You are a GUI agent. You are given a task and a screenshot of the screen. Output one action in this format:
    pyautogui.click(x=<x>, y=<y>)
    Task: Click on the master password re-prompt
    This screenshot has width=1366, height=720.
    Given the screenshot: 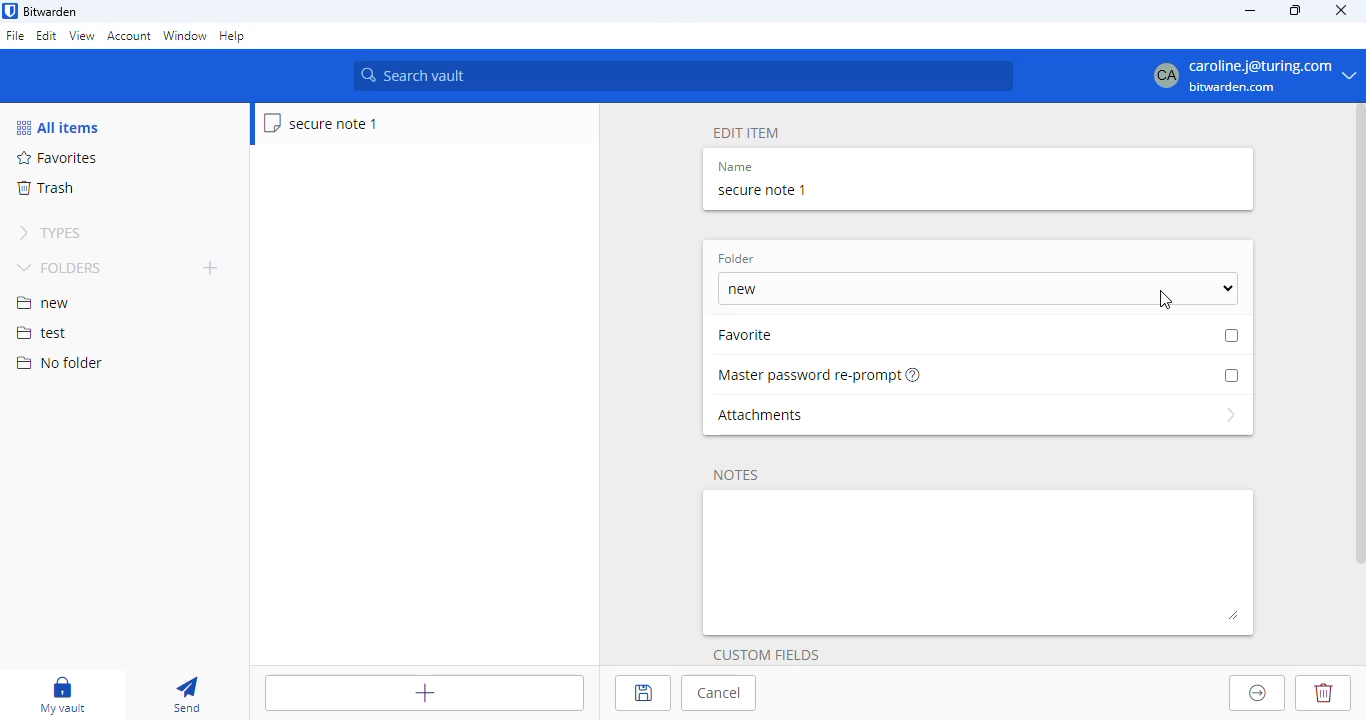 What is the action you would take?
    pyautogui.click(x=809, y=376)
    